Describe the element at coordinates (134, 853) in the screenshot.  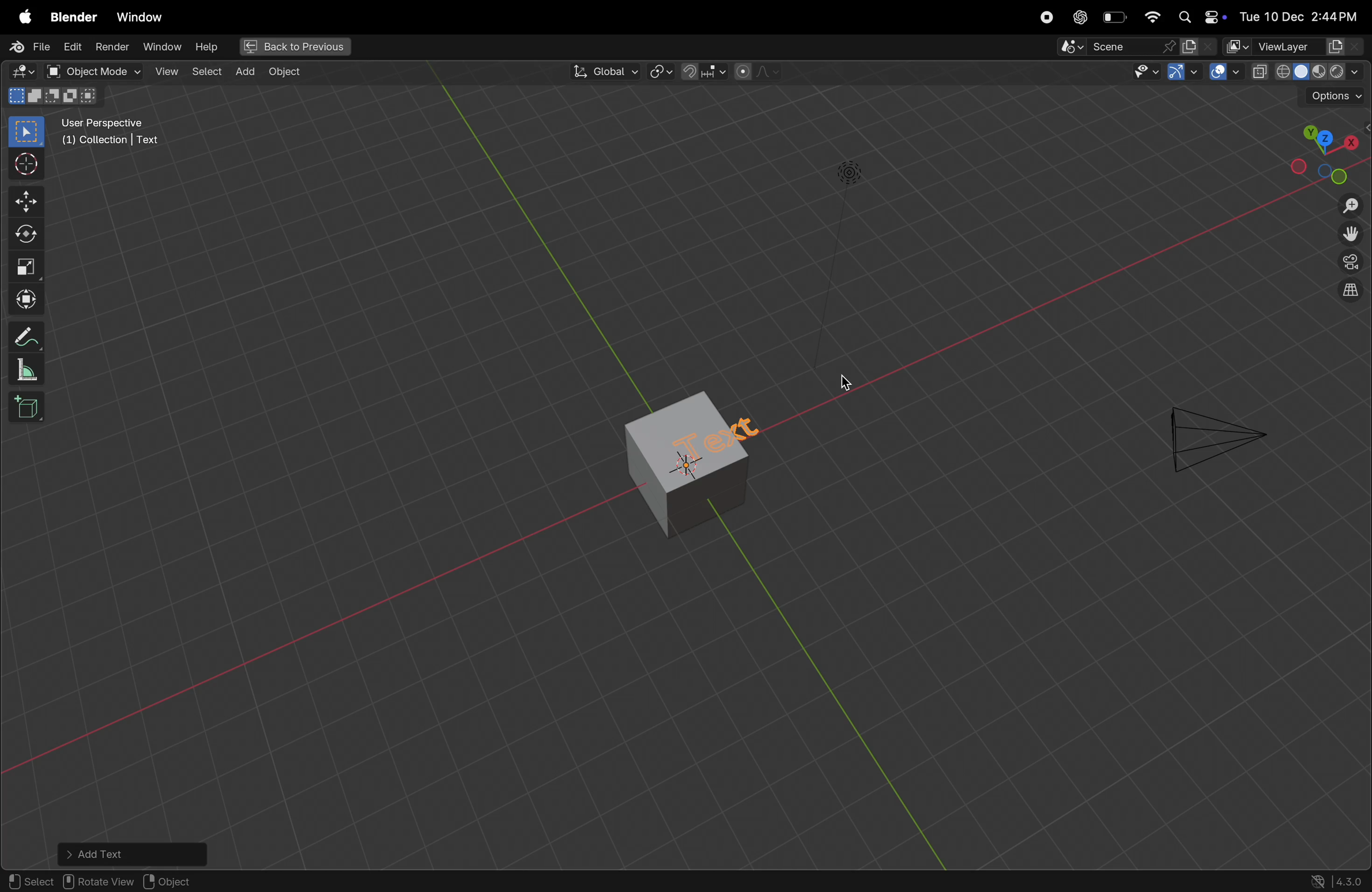
I see `add text` at that location.